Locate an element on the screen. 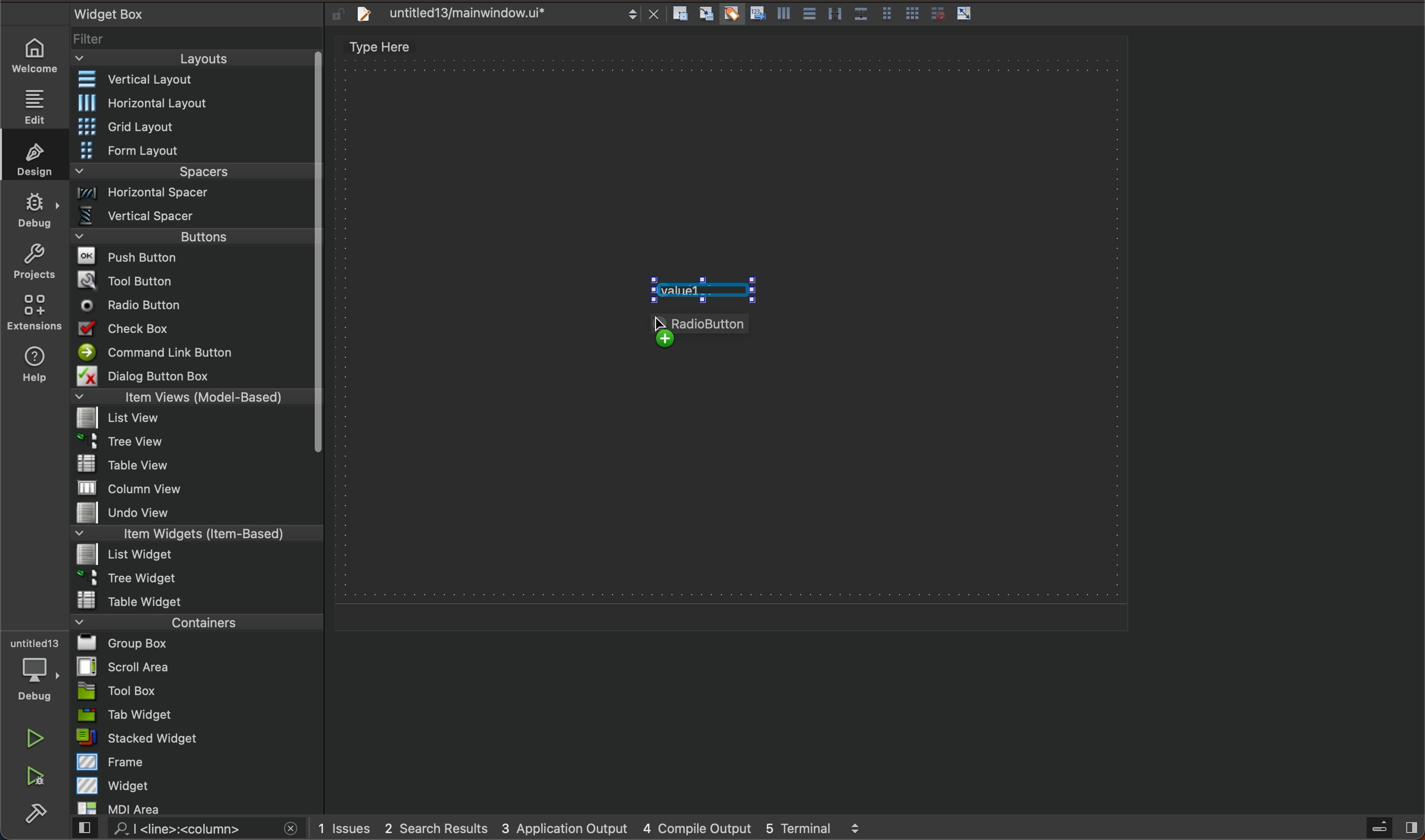 This screenshot has width=1425, height=840.  is located at coordinates (935, 14).